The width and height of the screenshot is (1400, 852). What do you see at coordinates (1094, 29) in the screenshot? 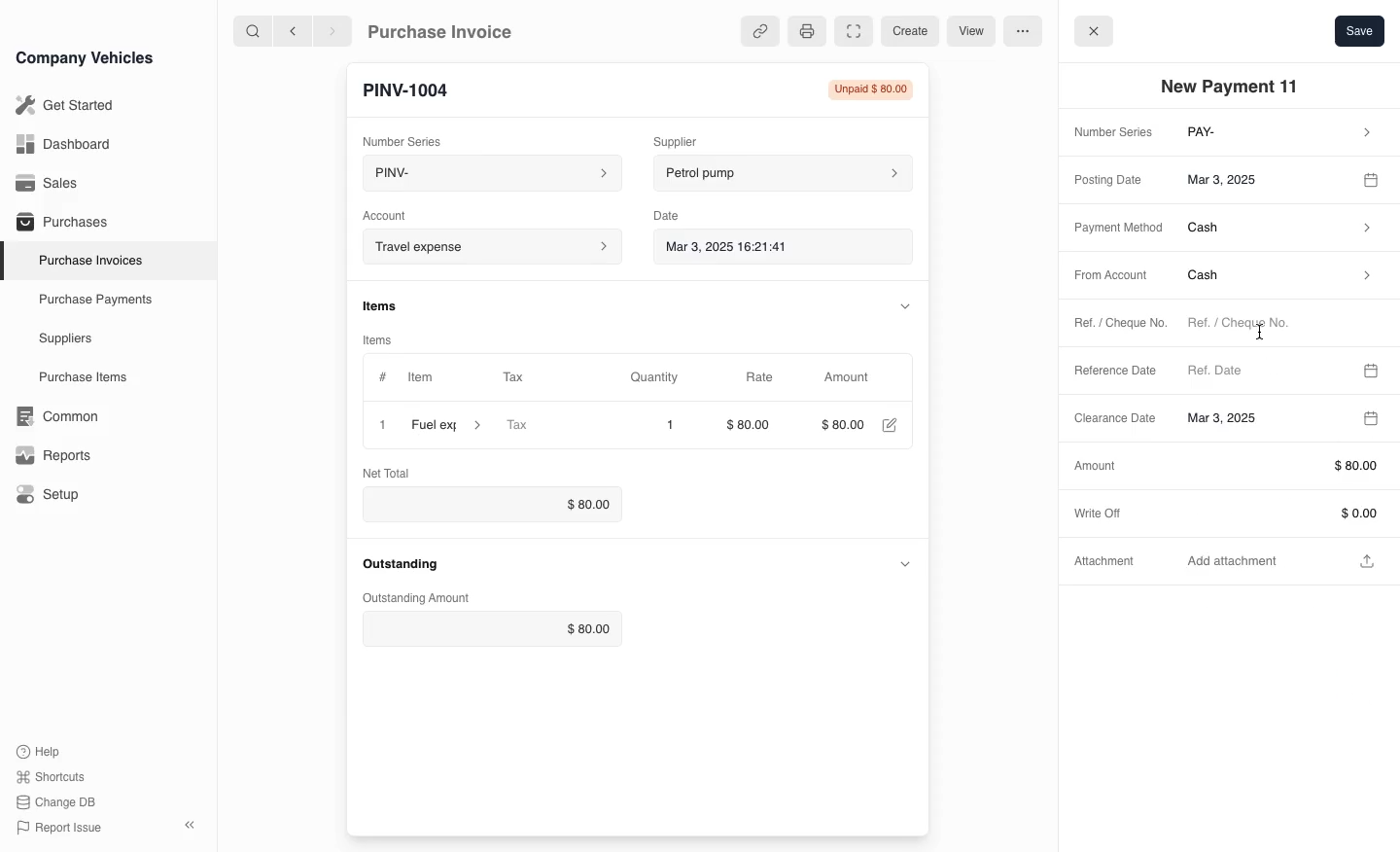
I see `close` at bounding box center [1094, 29].